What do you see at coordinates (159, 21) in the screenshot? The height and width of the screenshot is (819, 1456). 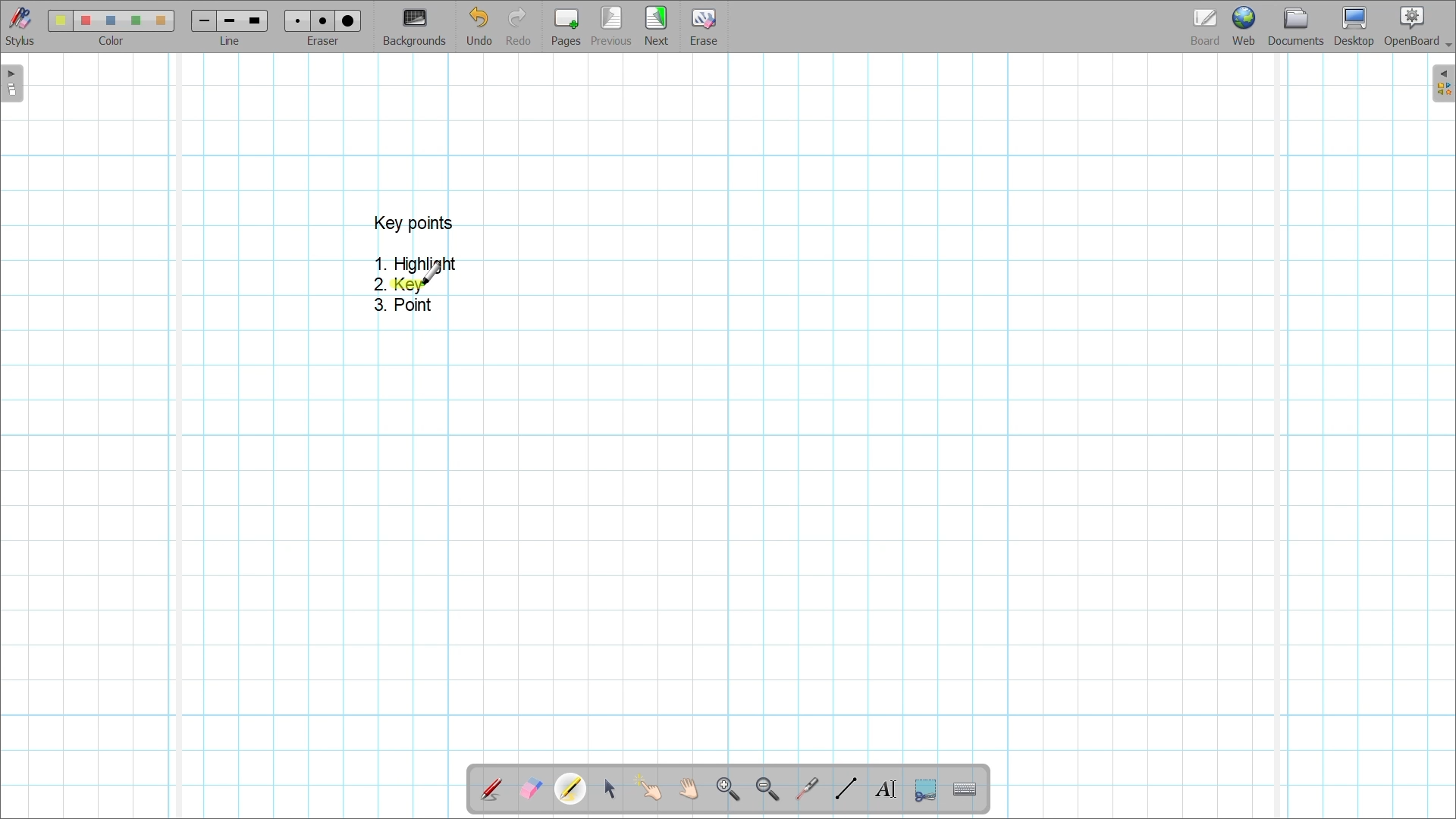 I see `color5` at bounding box center [159, 21].